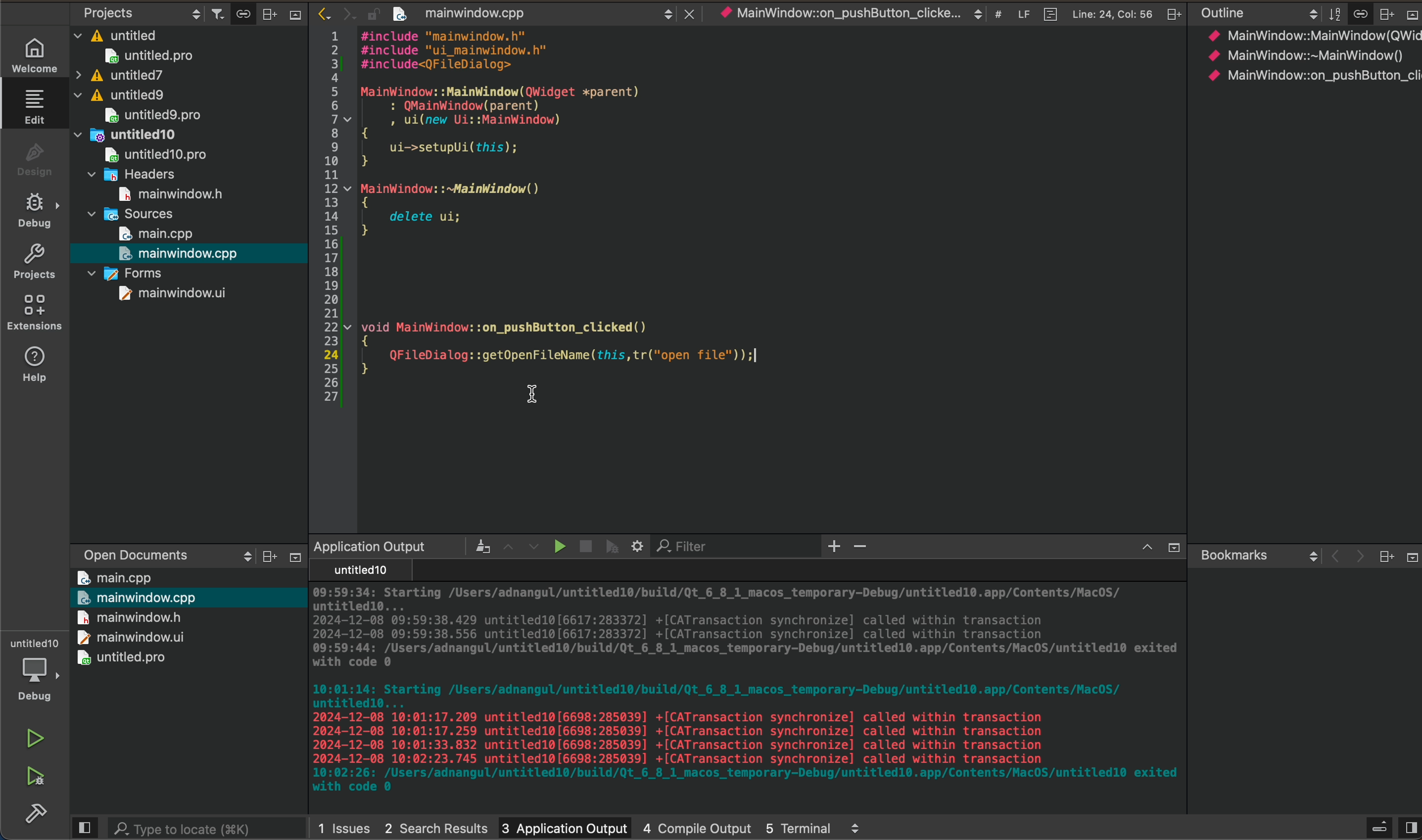  I want to click on debug, so click(33, 211).